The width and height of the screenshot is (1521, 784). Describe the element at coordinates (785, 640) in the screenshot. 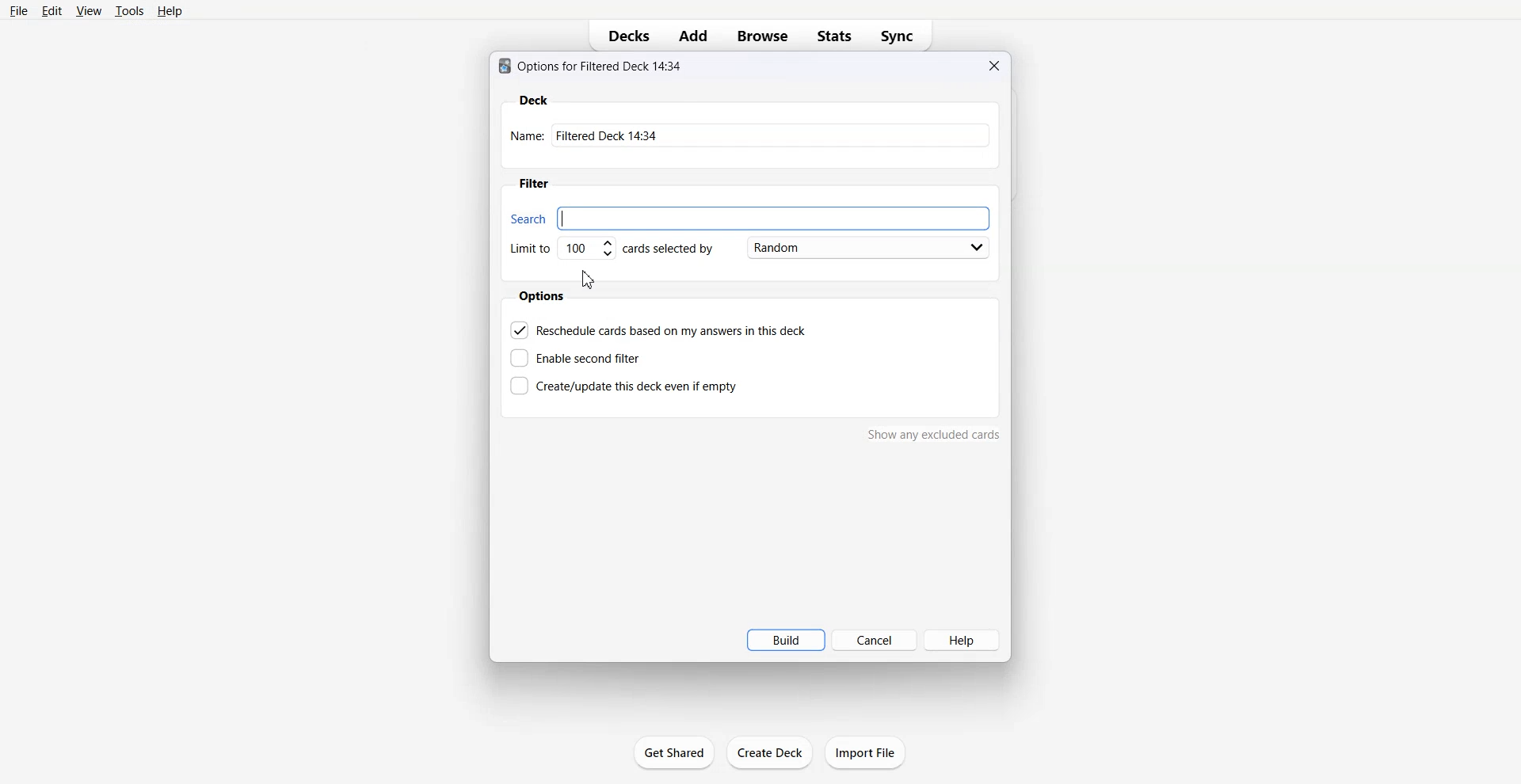

I see `Build` at that location.